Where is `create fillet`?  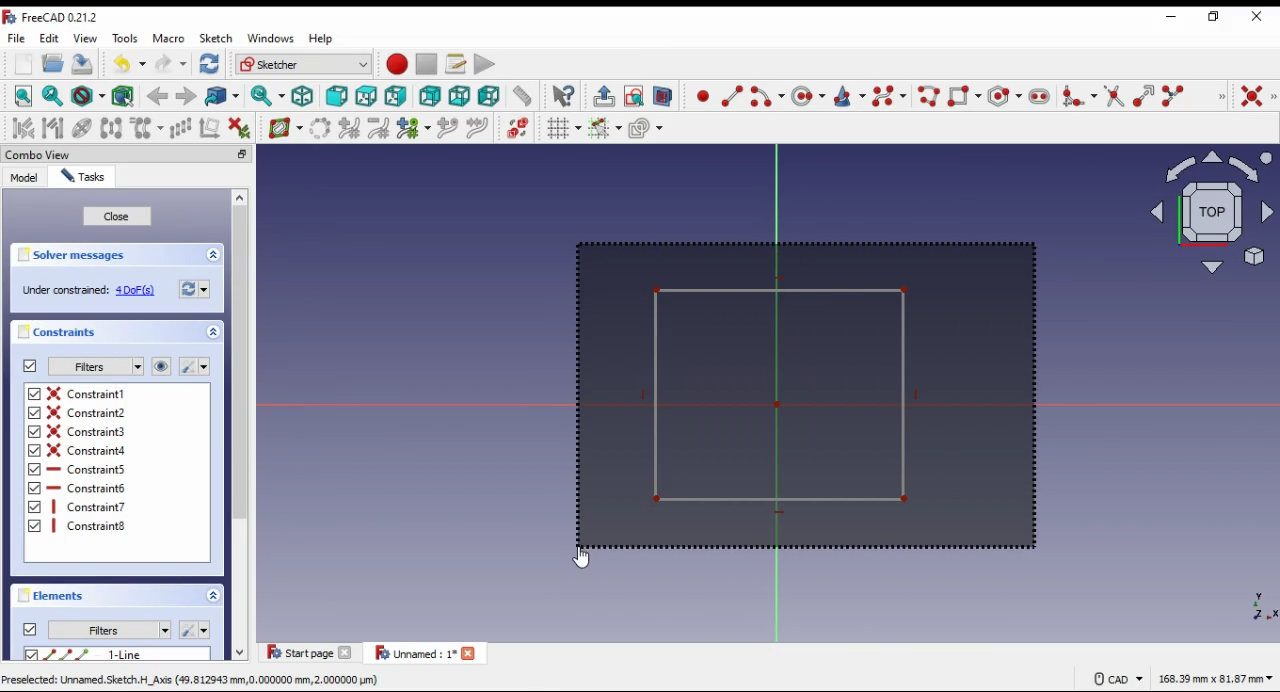 create fillet is located at coordinates (1079, 96).